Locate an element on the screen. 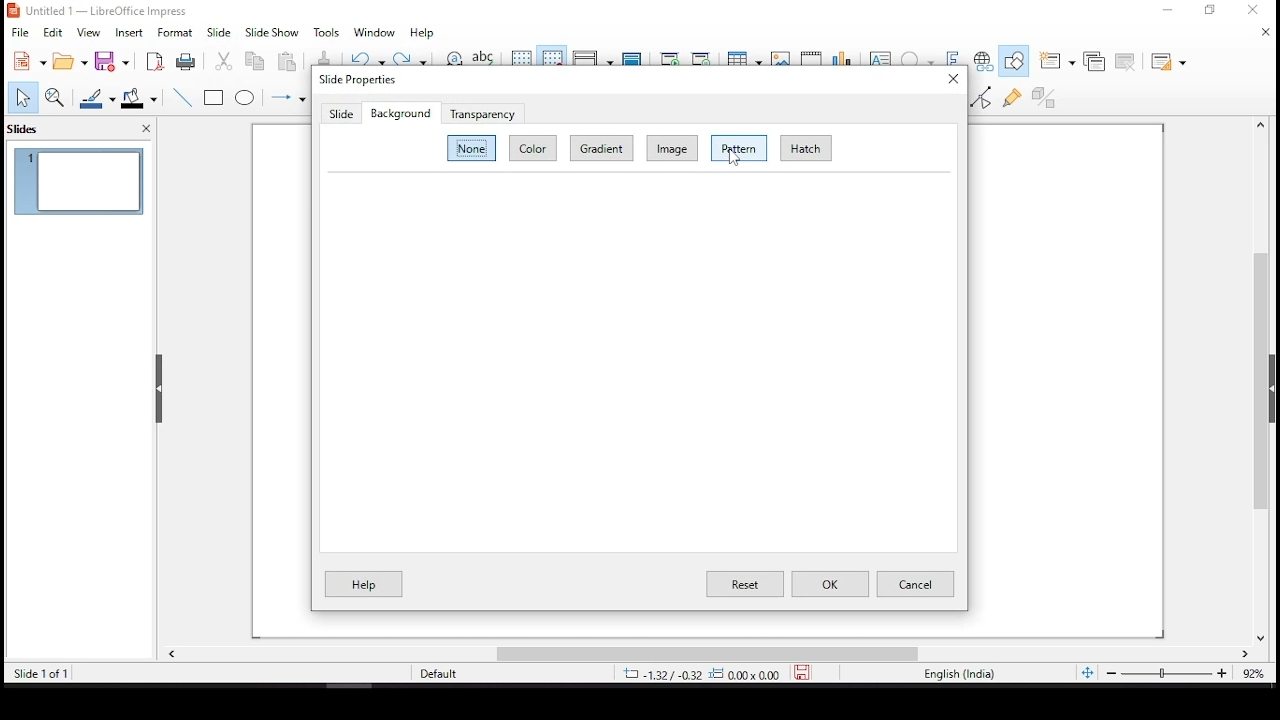 This screenshot has height=720, width=1280. close pane is located at coordinates (159, 389).